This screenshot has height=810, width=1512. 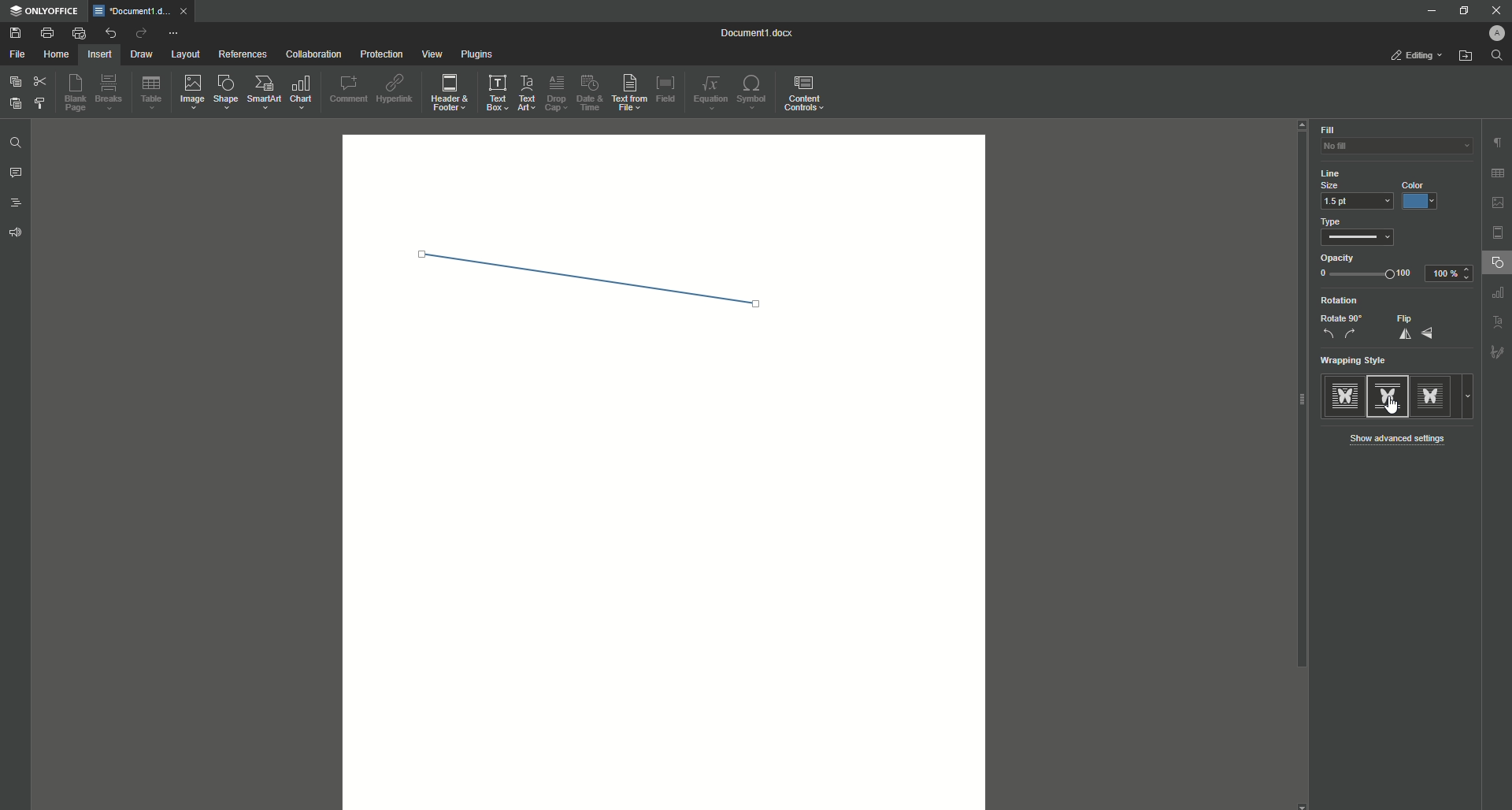 What do you see at coordinates (39, 81) in the screenshot?
I see `Cut` at bounding box center [39, 81].